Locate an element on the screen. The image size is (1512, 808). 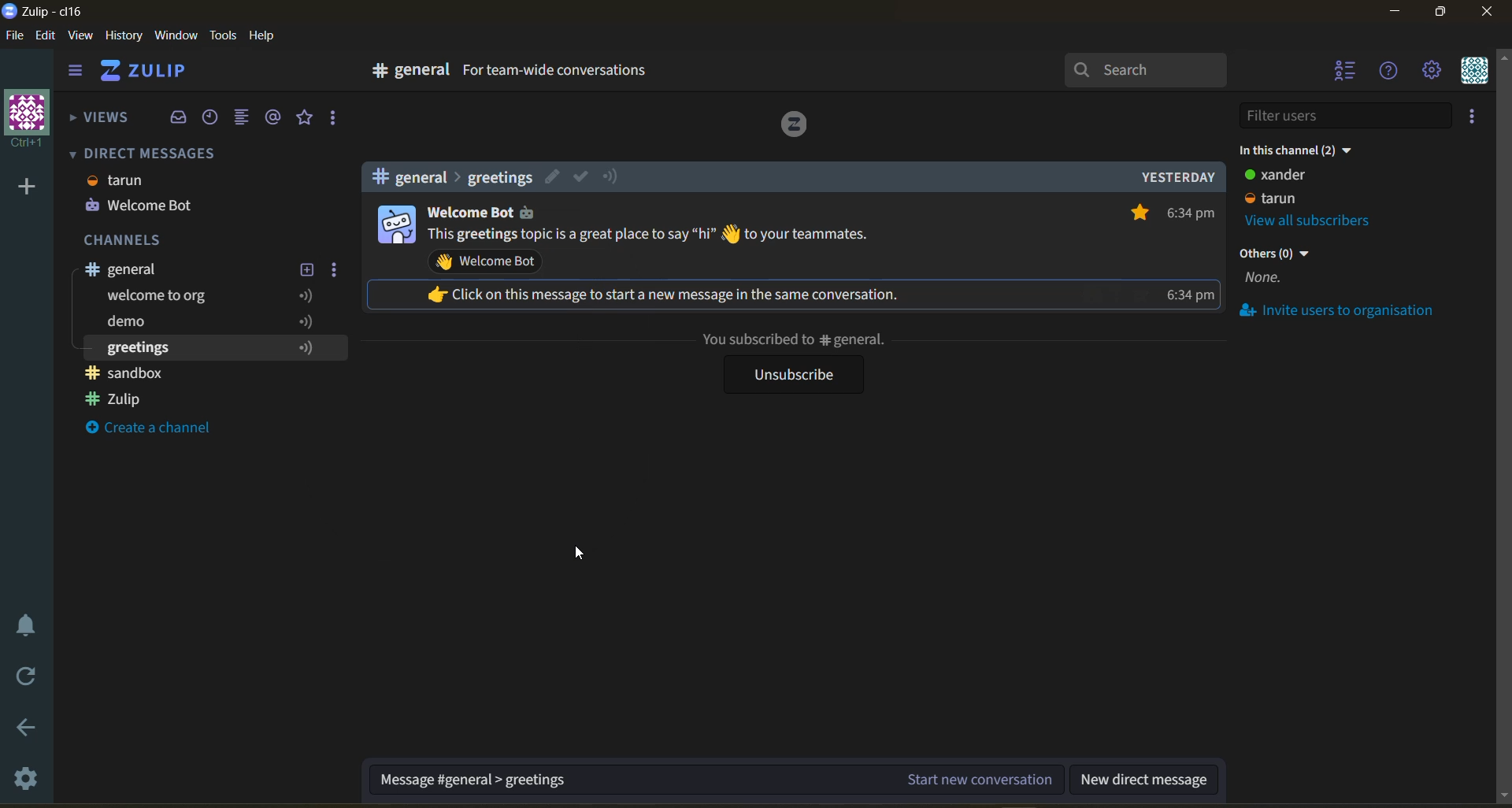
following is located at coordinates (305, 308).